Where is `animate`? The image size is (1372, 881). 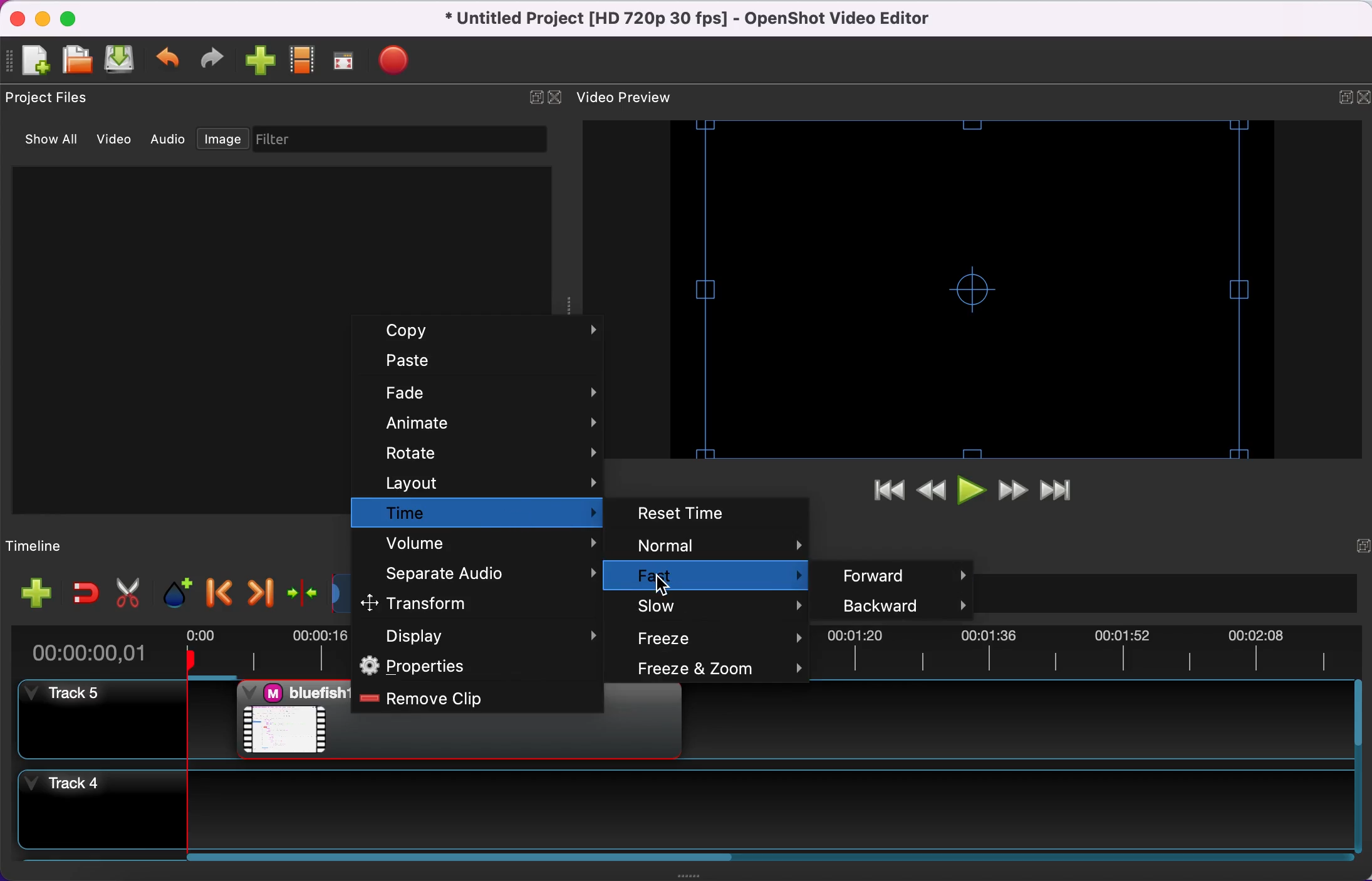
animate is located at coordinates (489, 425).